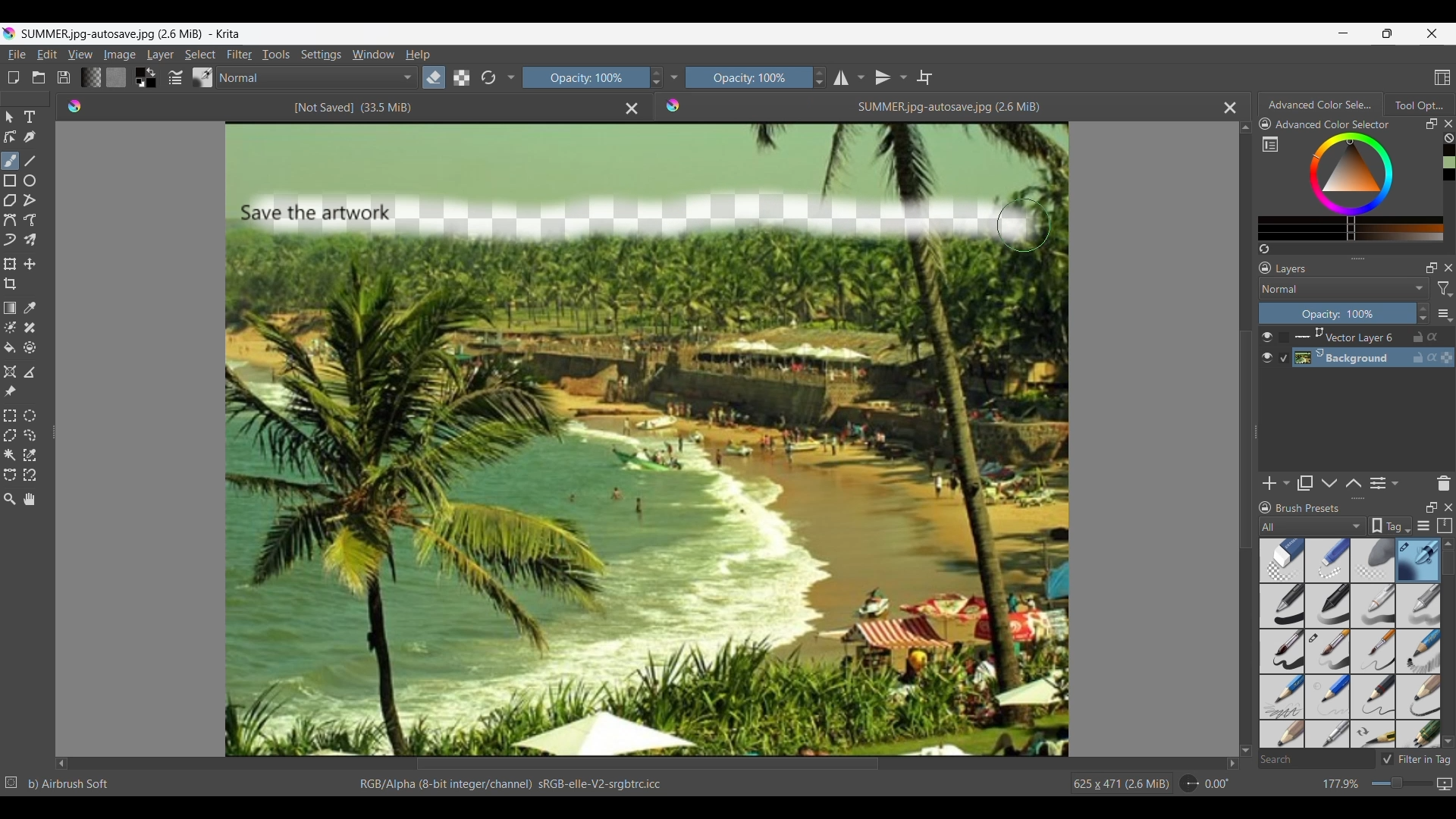 The width and height of the screenshot is (1456, 819). Describe the element at coordinates (11, 783) in the screenshot. I see `No selection ` at that location.